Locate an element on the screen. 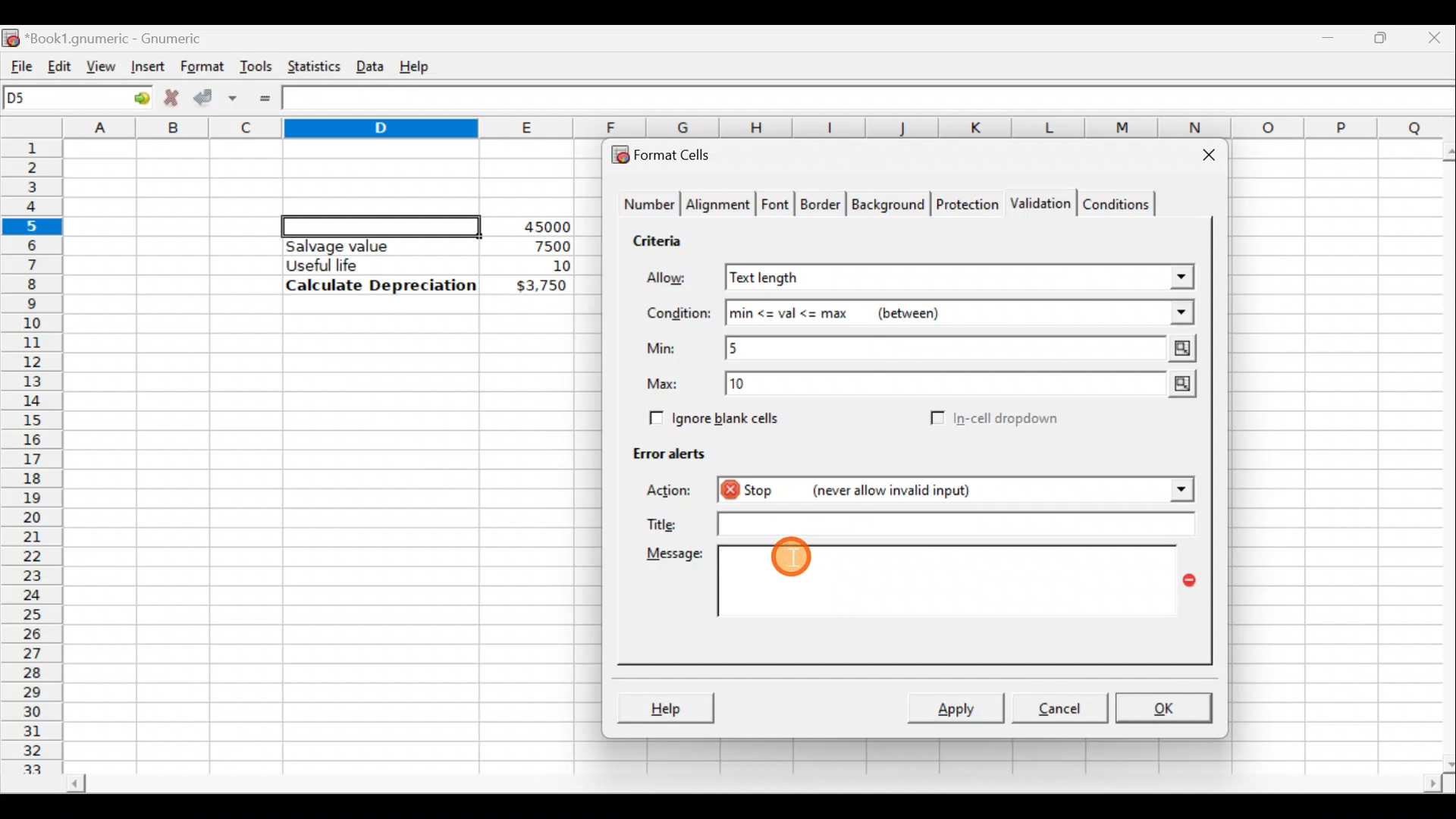 The height and width of the screenshot is (819, 1456). 10 is located at coordinates (543, 266).